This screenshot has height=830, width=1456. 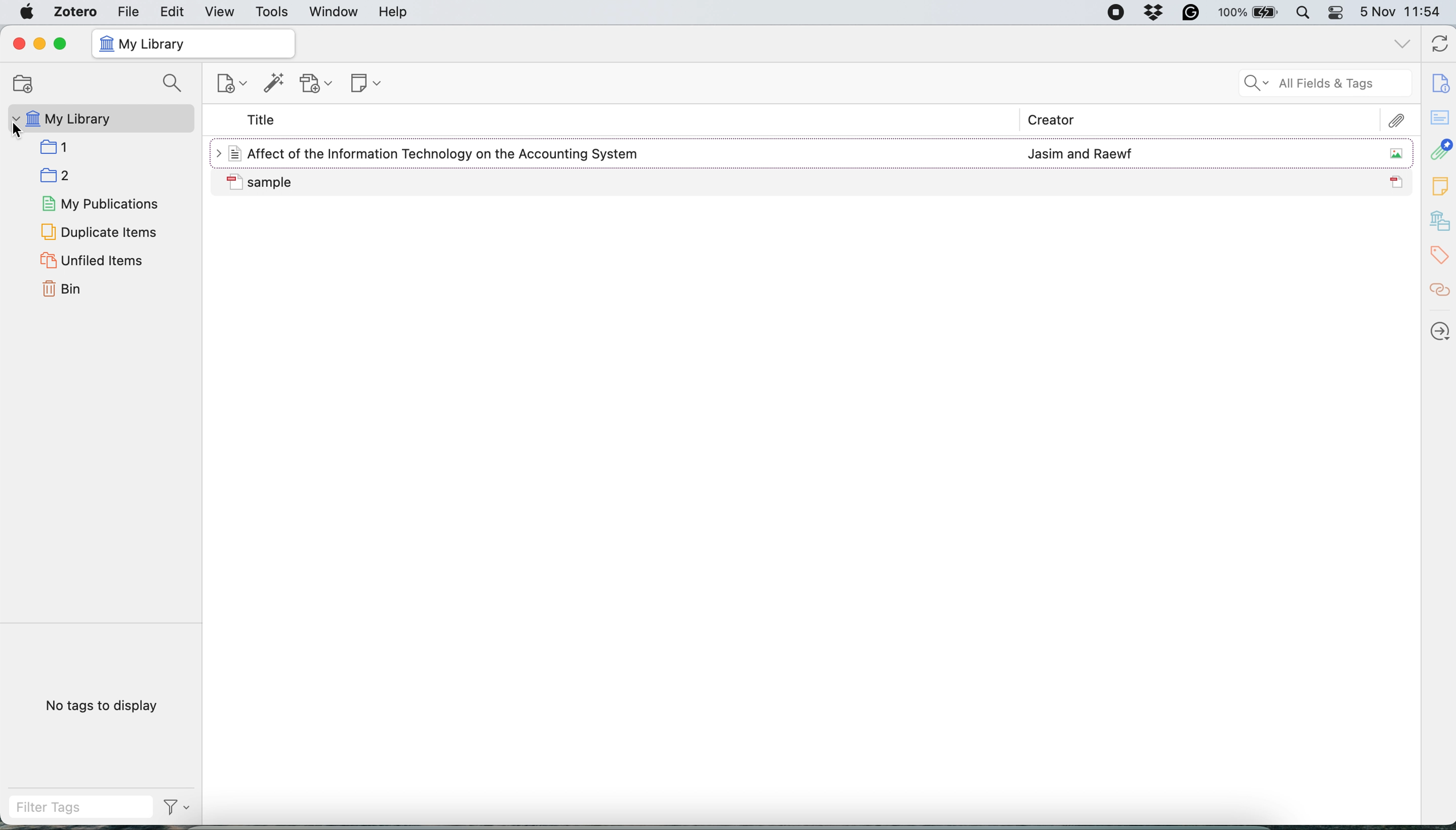 What do you see at coordinates (73, 14) in the screenshot?
I see `zotero` at bounding box center [73, 14].